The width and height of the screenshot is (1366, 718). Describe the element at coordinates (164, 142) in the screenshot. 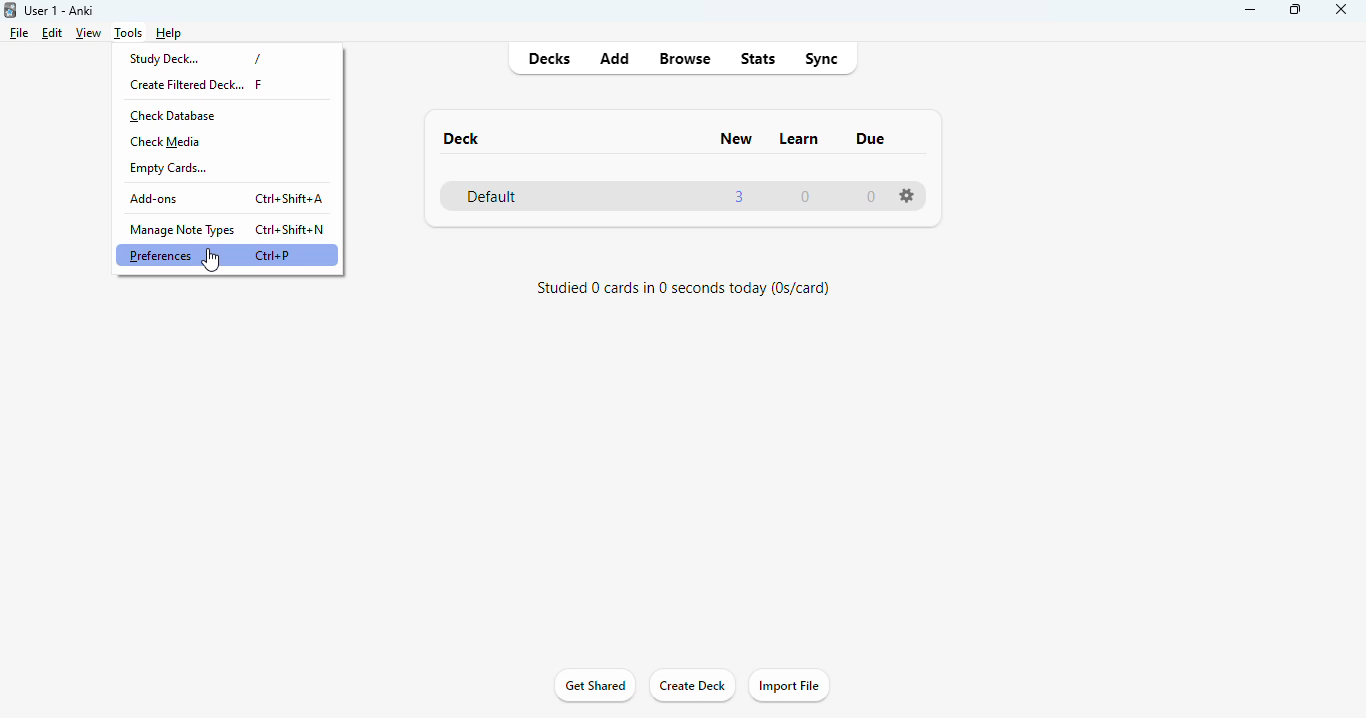

I see `check media` at that location.